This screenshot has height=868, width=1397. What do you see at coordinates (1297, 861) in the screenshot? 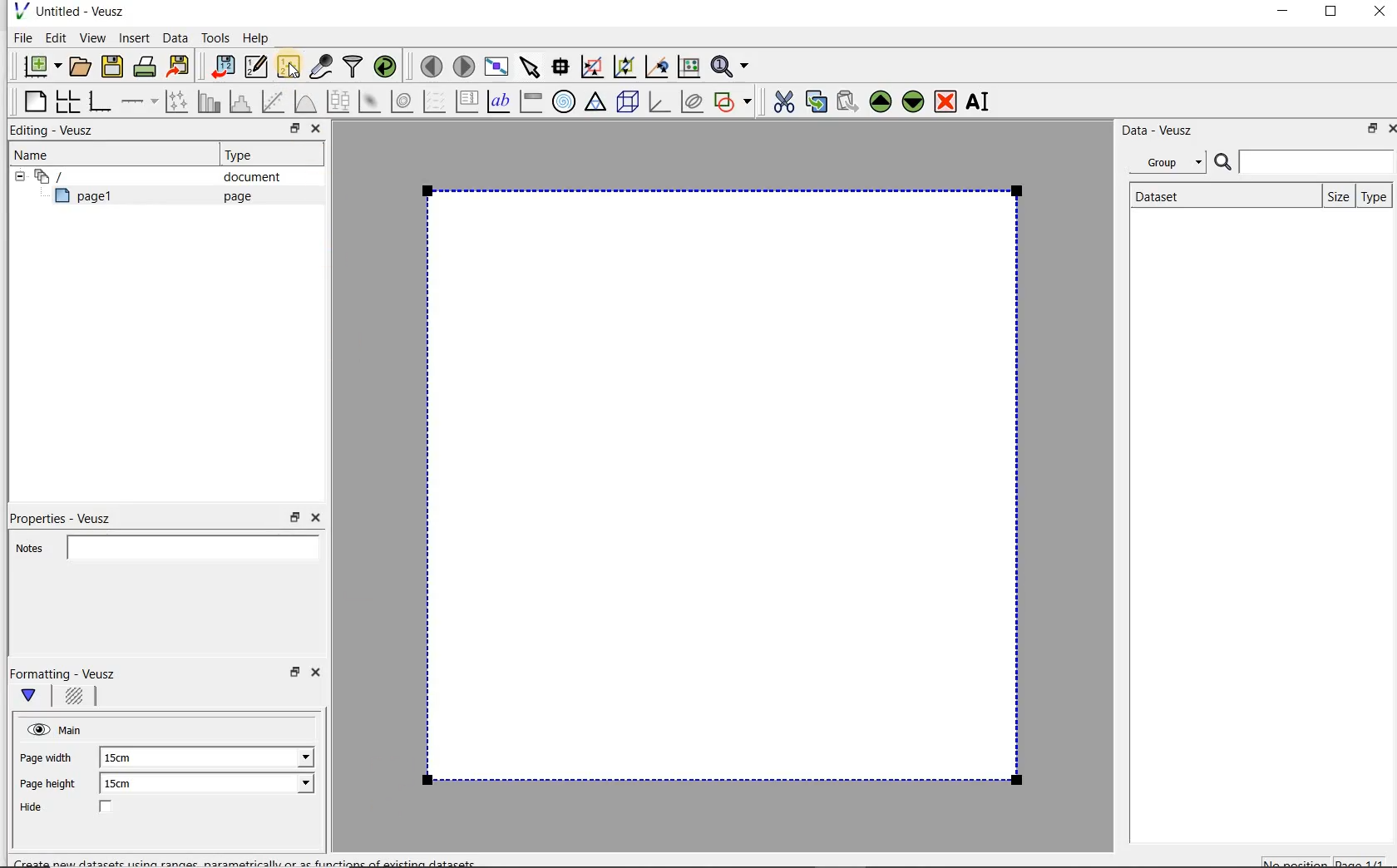
I see `No position` at bounding box center [1297, 861].